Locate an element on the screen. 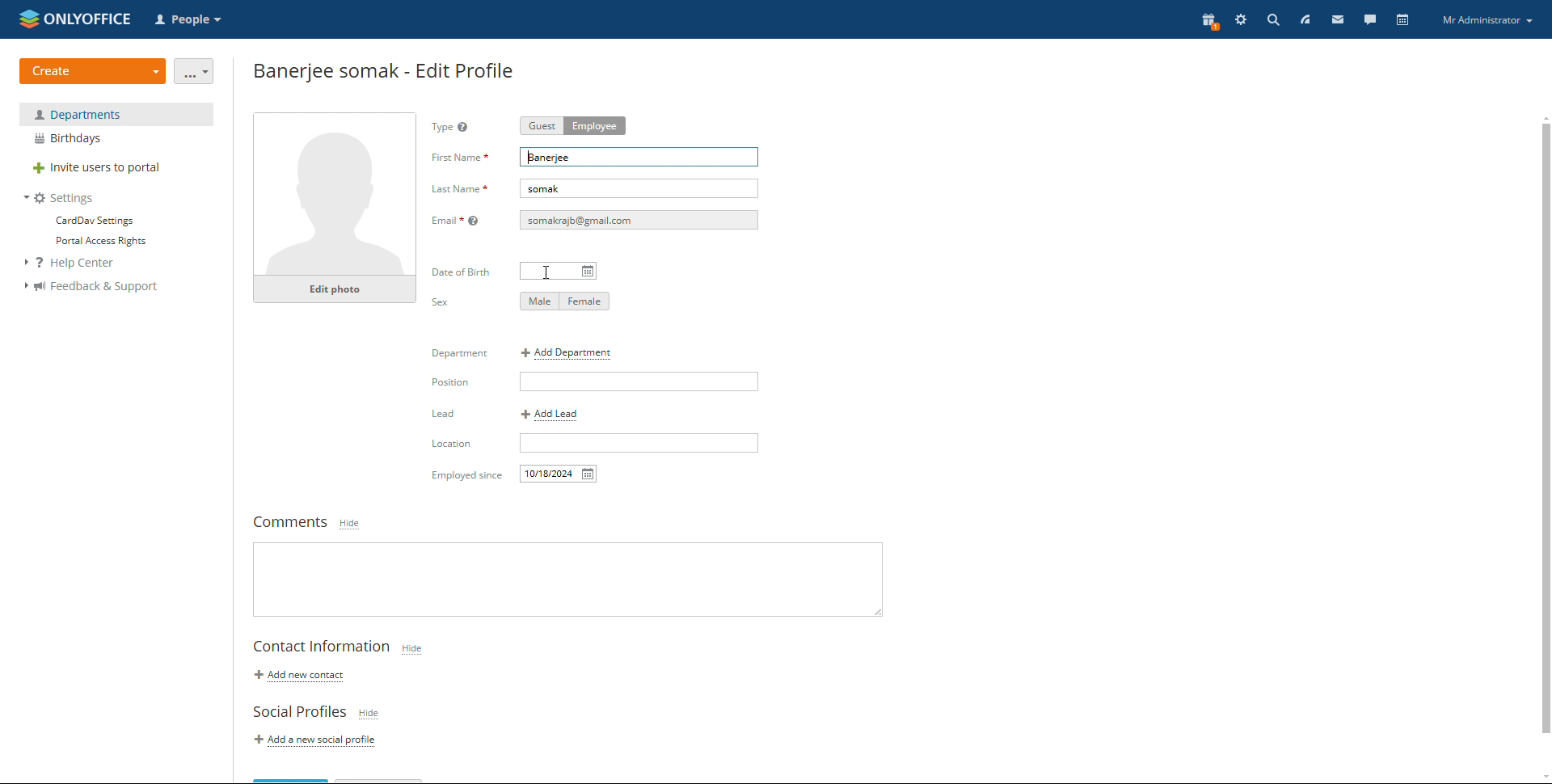 Image resolution: width=1552 pixels, height=784 pixels. scroll up is located at coordinates (1542, 116).